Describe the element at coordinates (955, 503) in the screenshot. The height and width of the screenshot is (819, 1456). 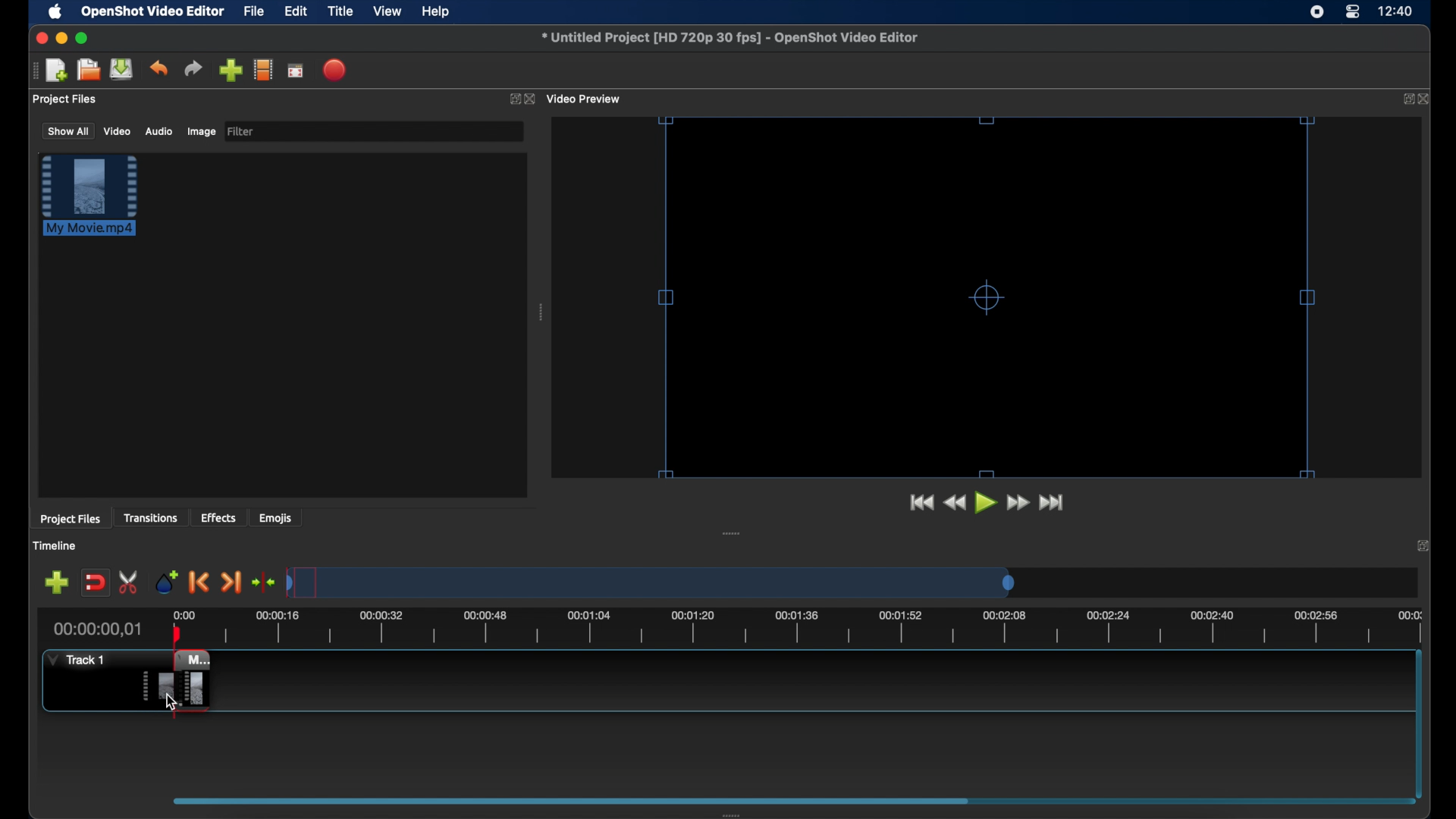
I see `rewind` at that location.